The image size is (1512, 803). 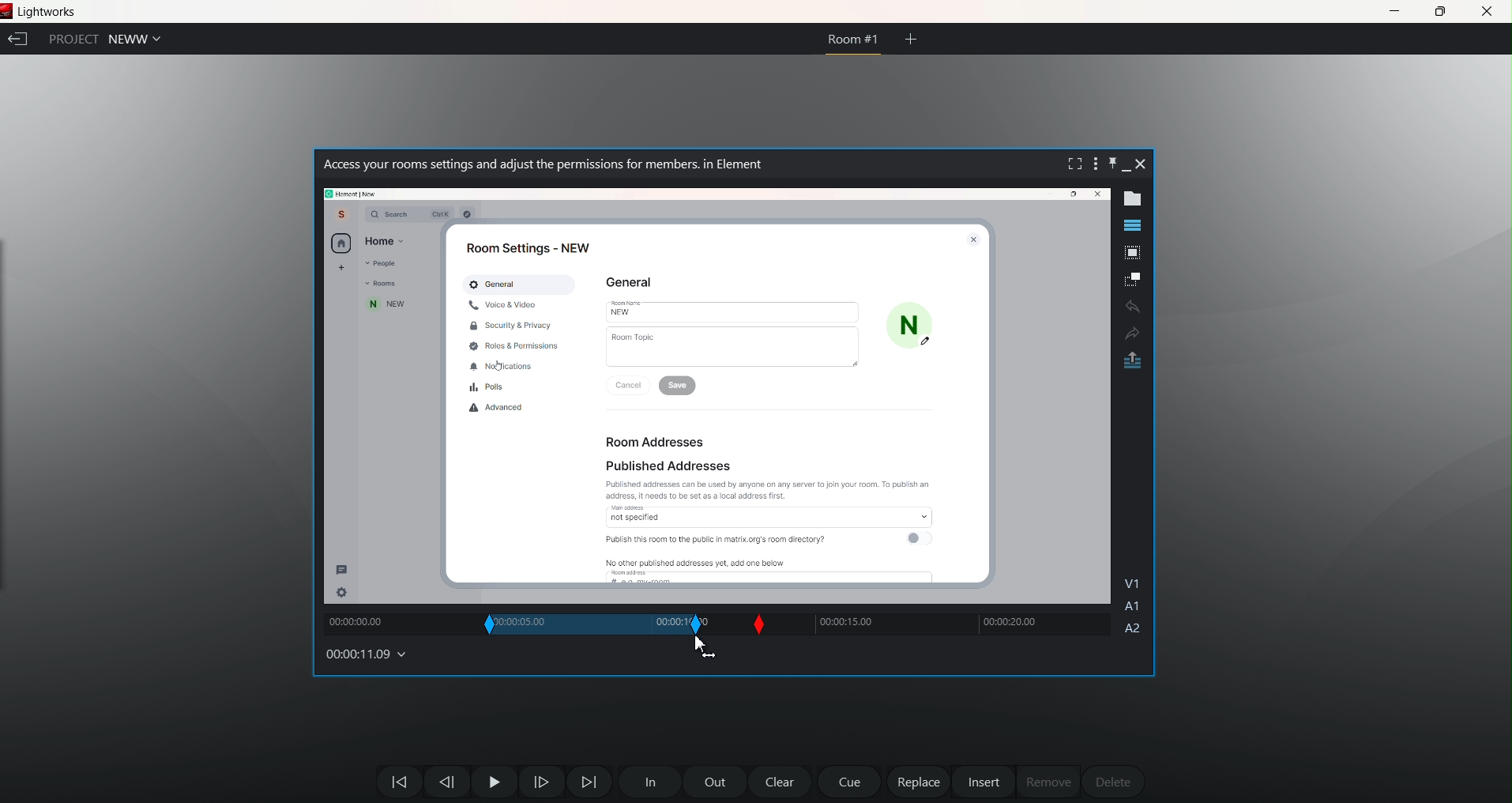 I want to click on close, so click(x=969, y=237).